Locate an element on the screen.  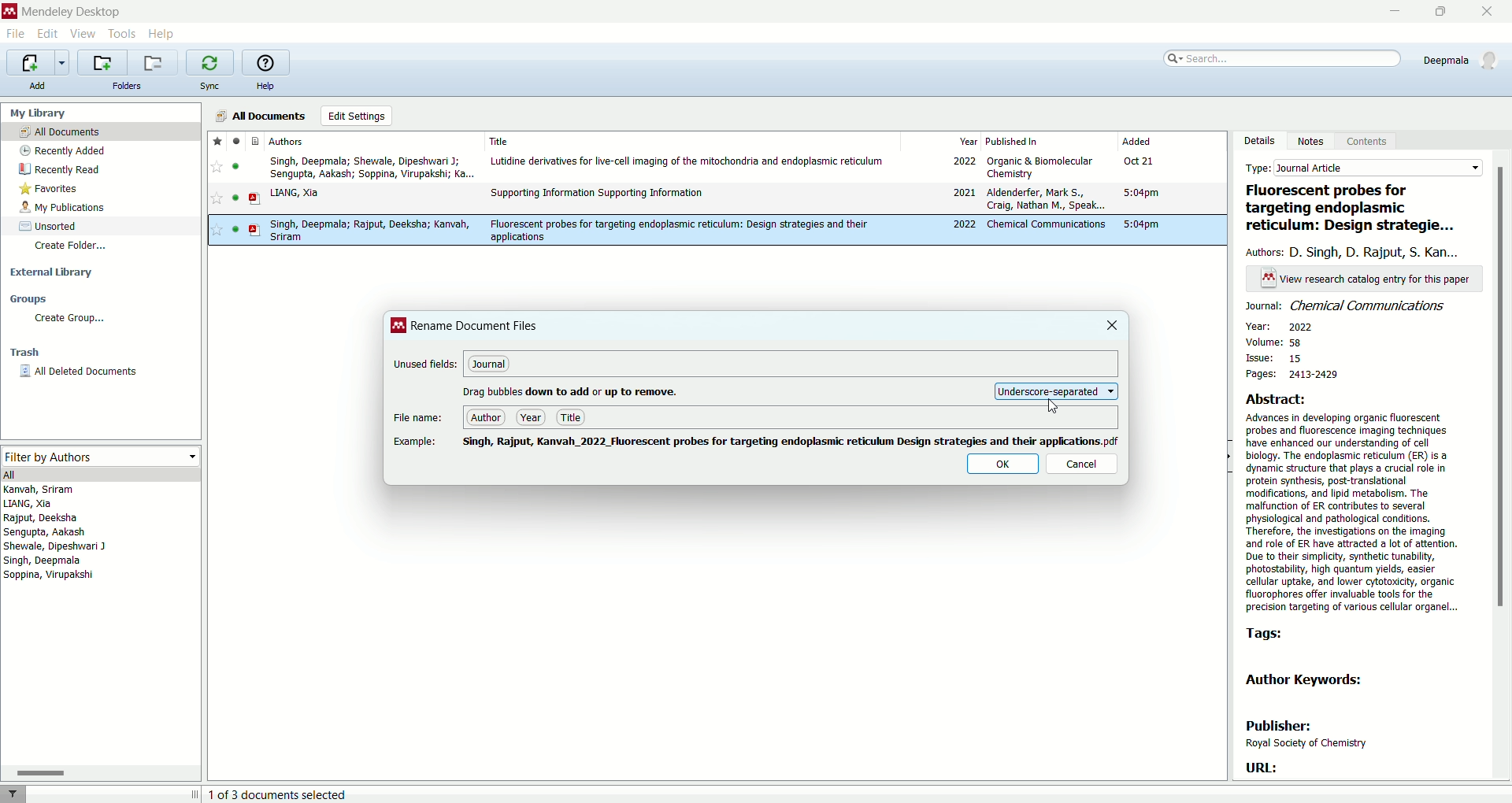
create a new folder is located at coordinates (104, 62).